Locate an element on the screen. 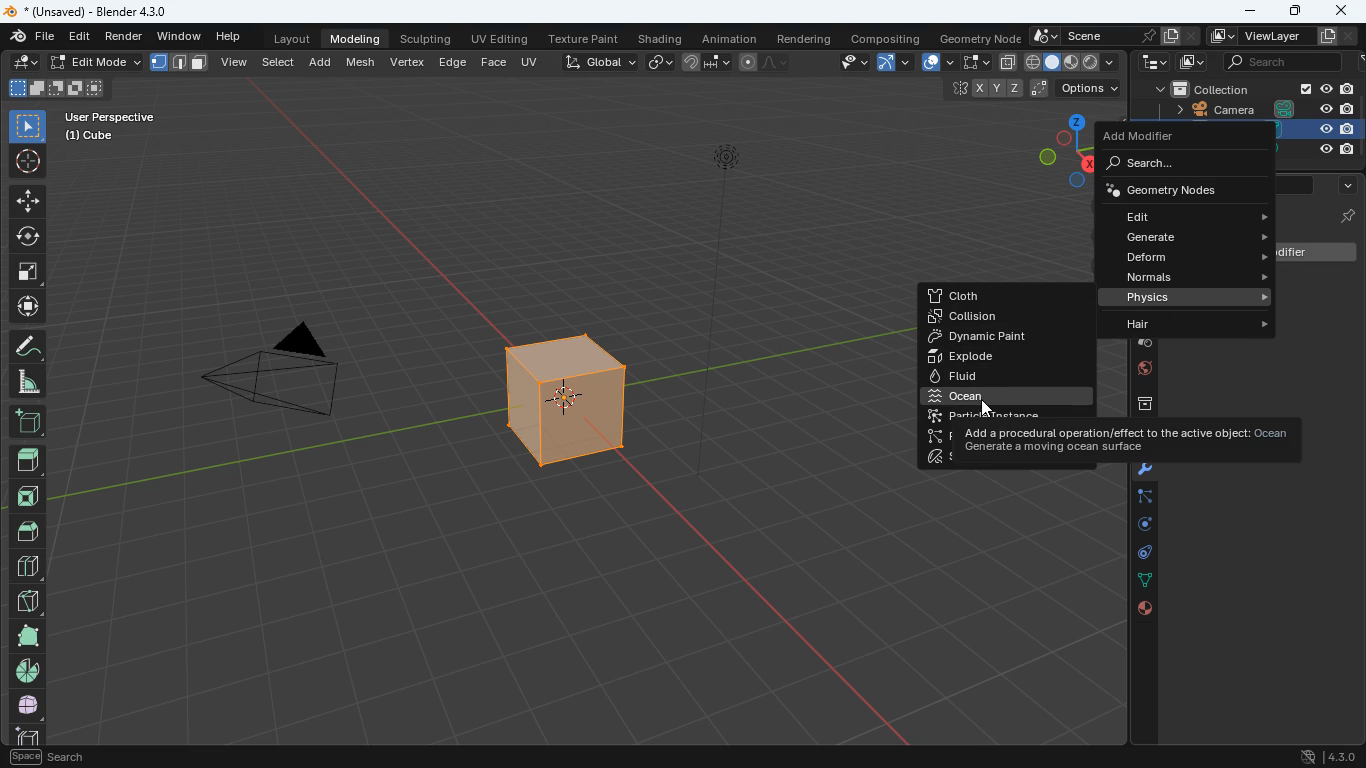  help is located at coordinates (231, 33).